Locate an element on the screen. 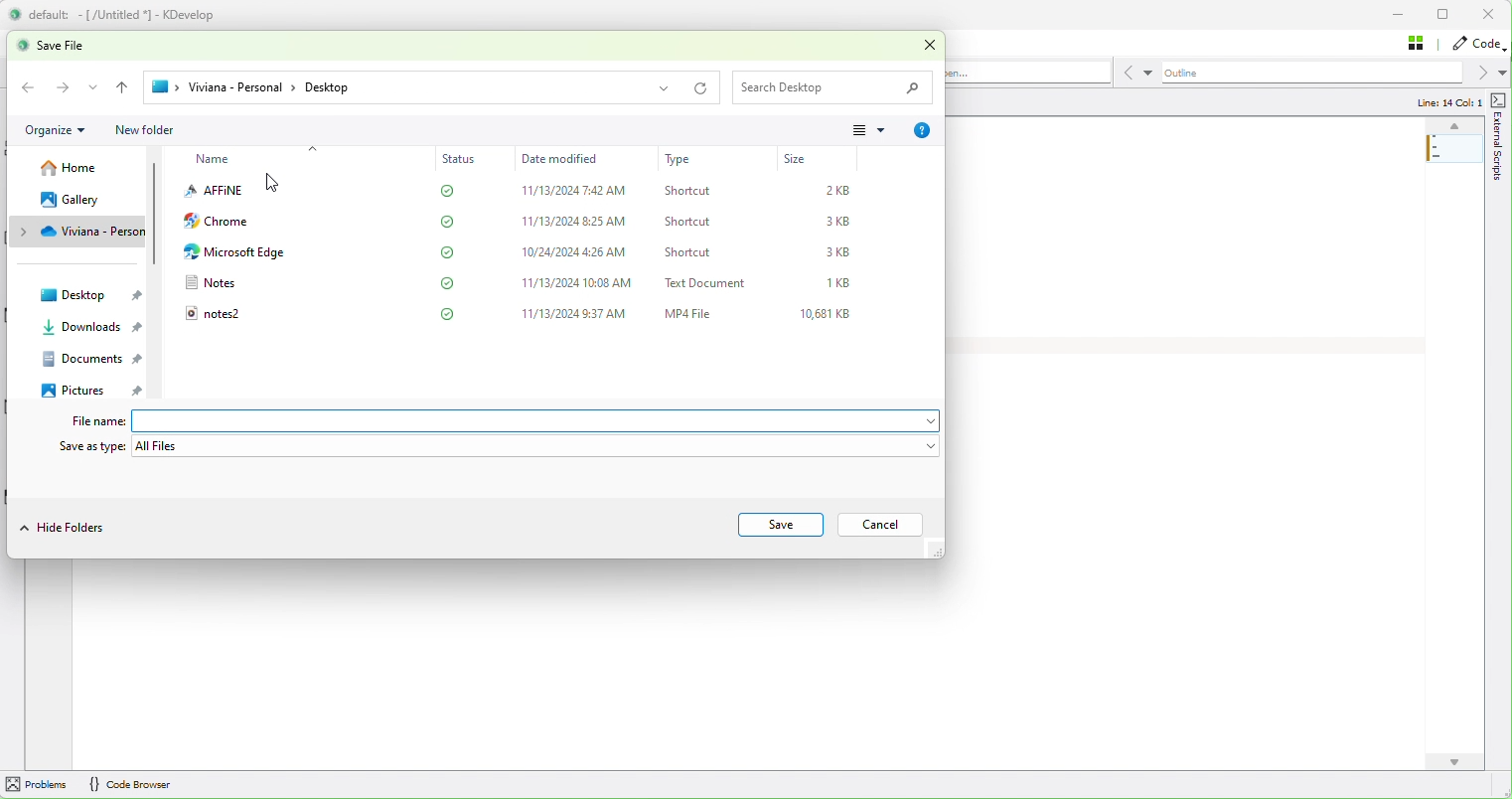 This screenshot has height=799, width=1512. Shortcut is located at coordinates (689, 221).